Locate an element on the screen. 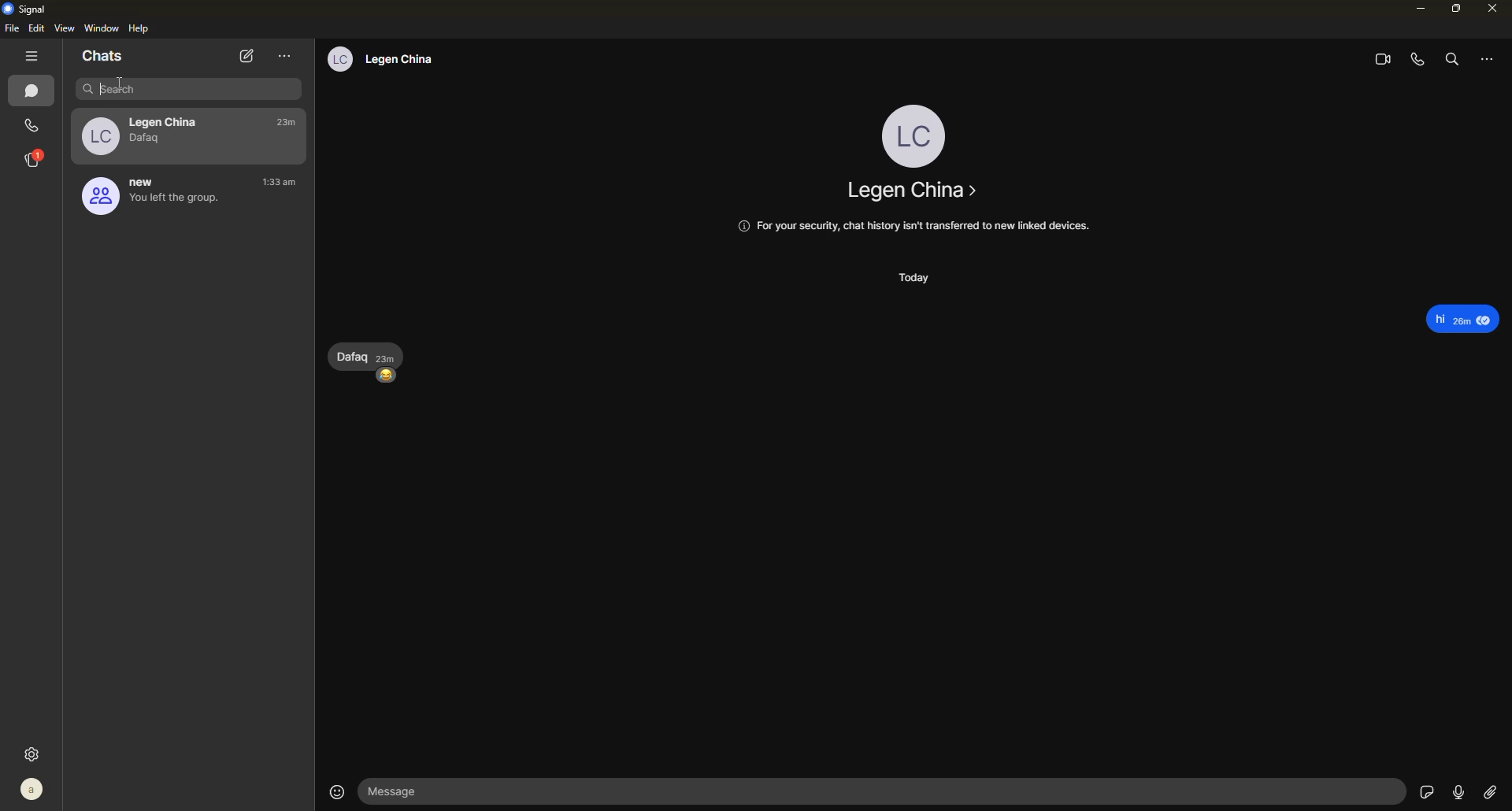 The height and width of the screenshot is (811, 1512). voice call is located at coordinates (1419, 60).